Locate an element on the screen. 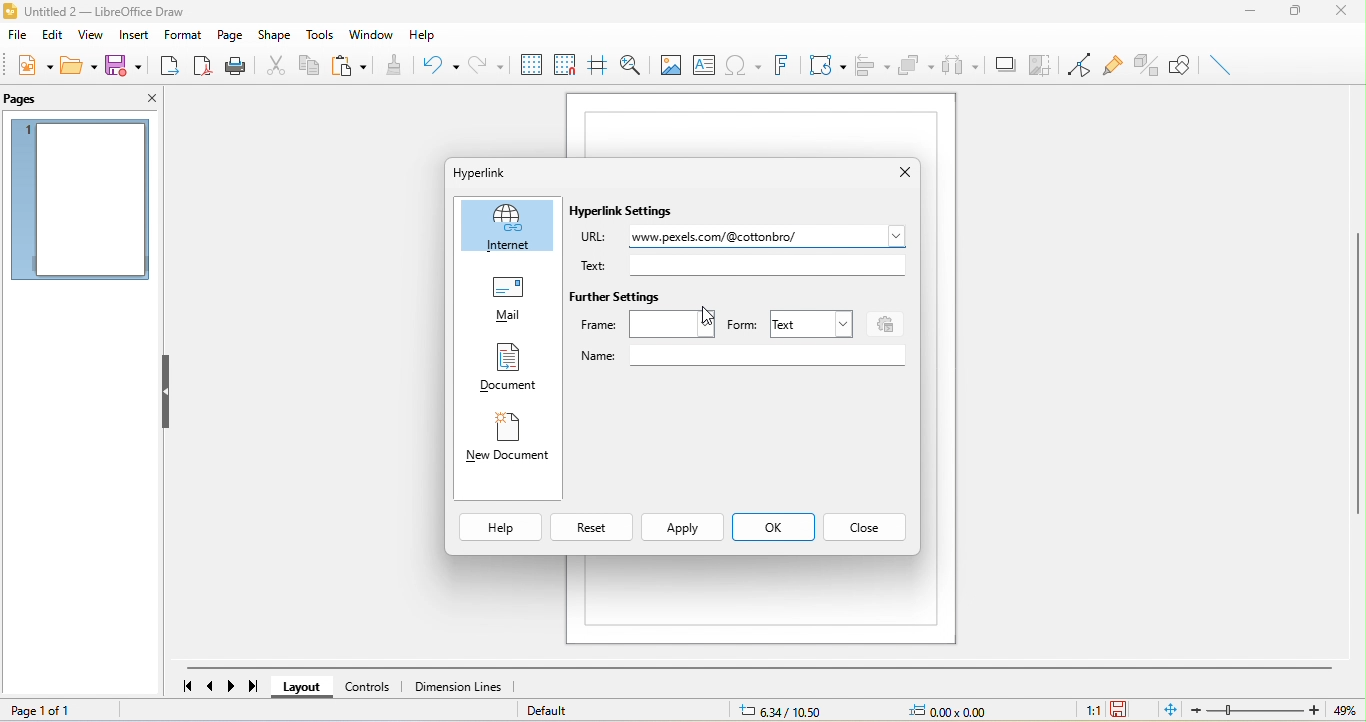  font work text is located at coordinates (785, 64).